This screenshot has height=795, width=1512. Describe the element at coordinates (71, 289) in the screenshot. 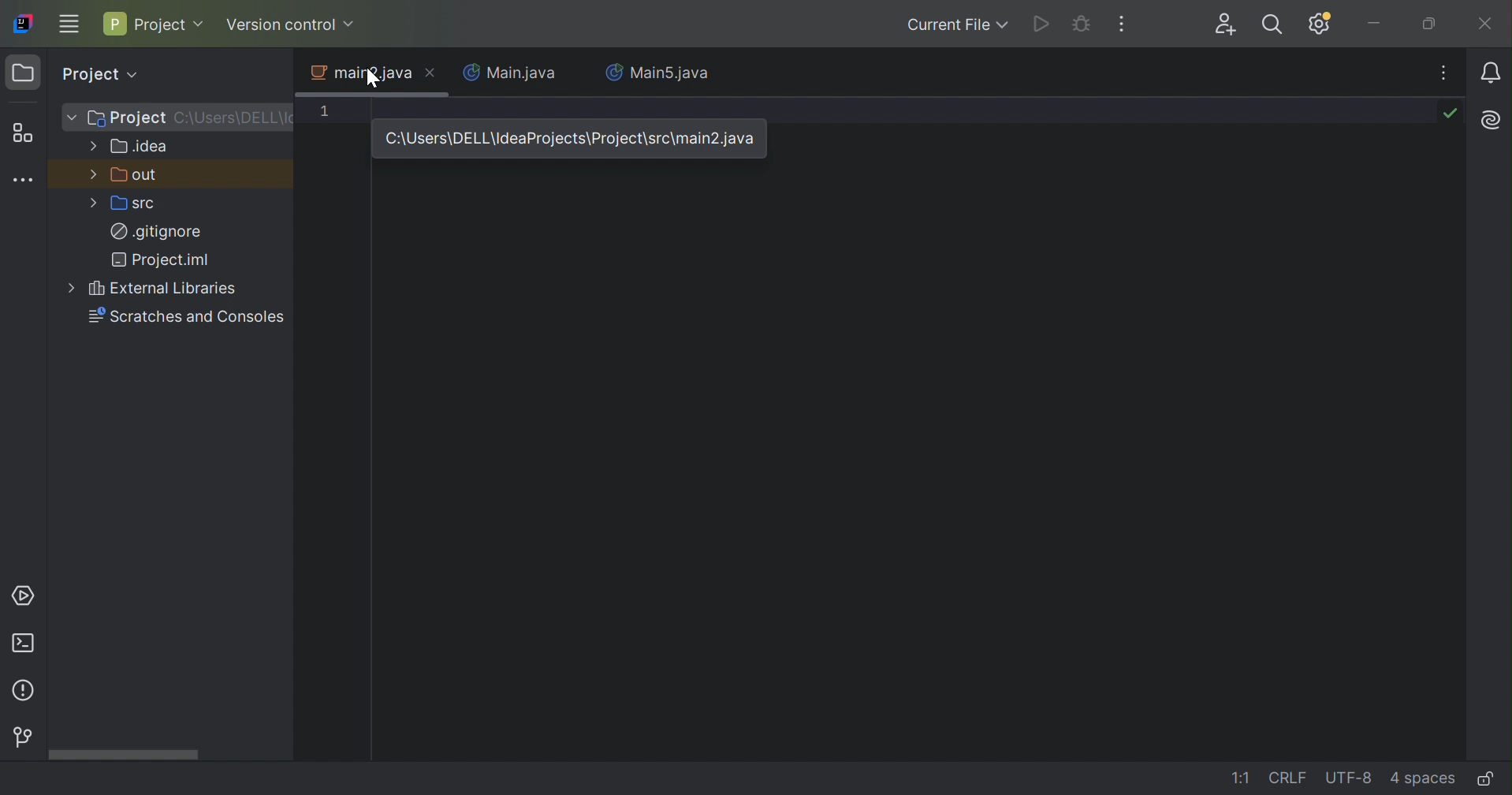

I see `More` at that location.